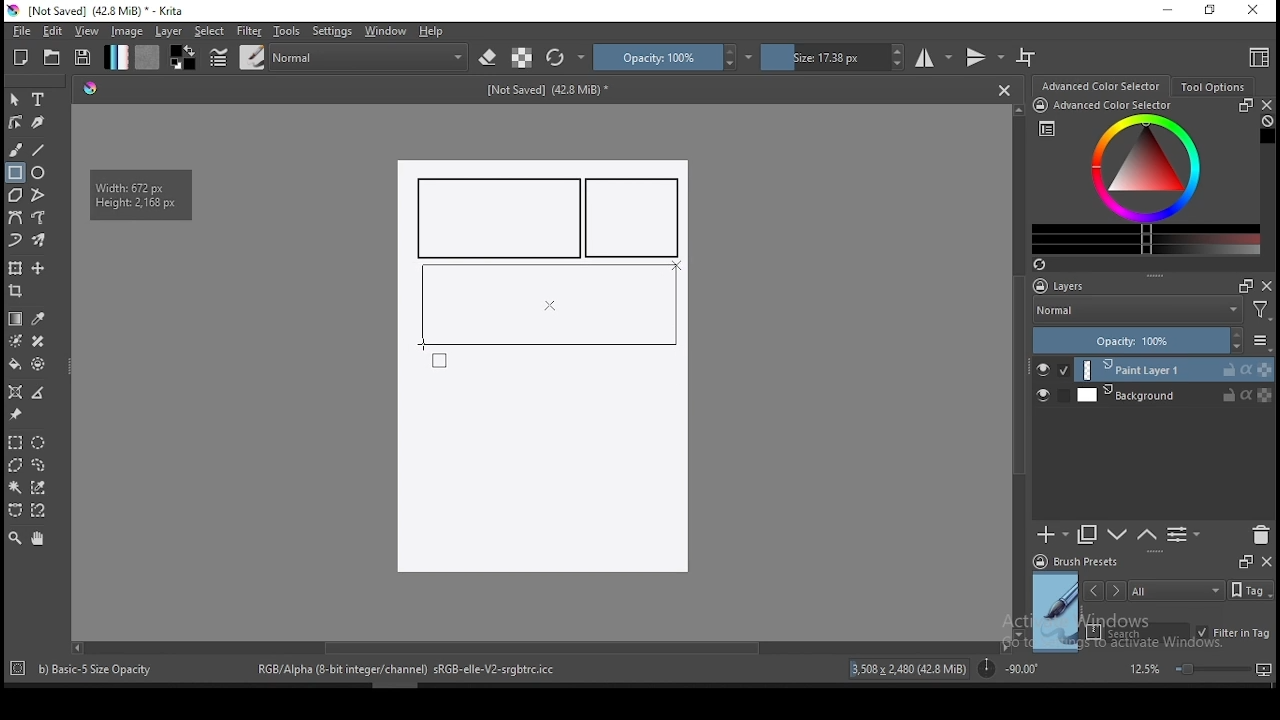  What do you see at coordinates (147, 57) in the screenshot?
I see `pattern` at bounding box center [147, 57].